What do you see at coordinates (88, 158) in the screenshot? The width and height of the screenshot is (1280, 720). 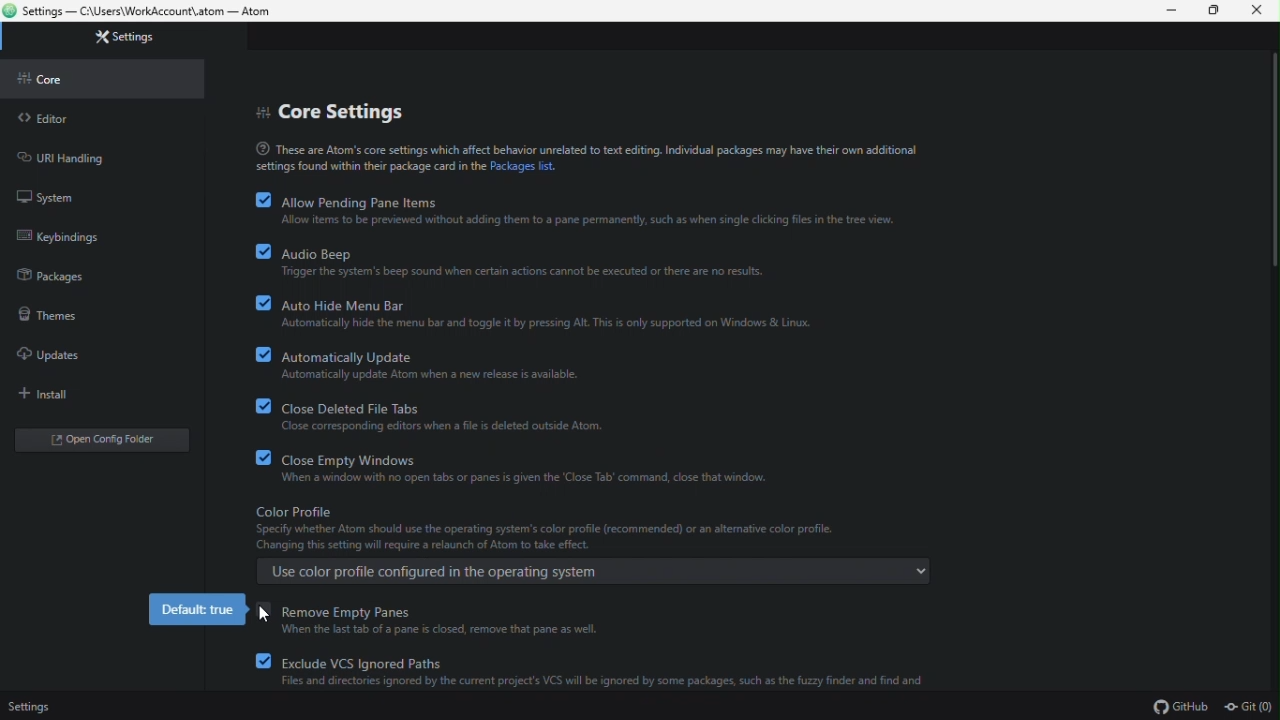 I see `URL handling` at bounding box center [88, 158].